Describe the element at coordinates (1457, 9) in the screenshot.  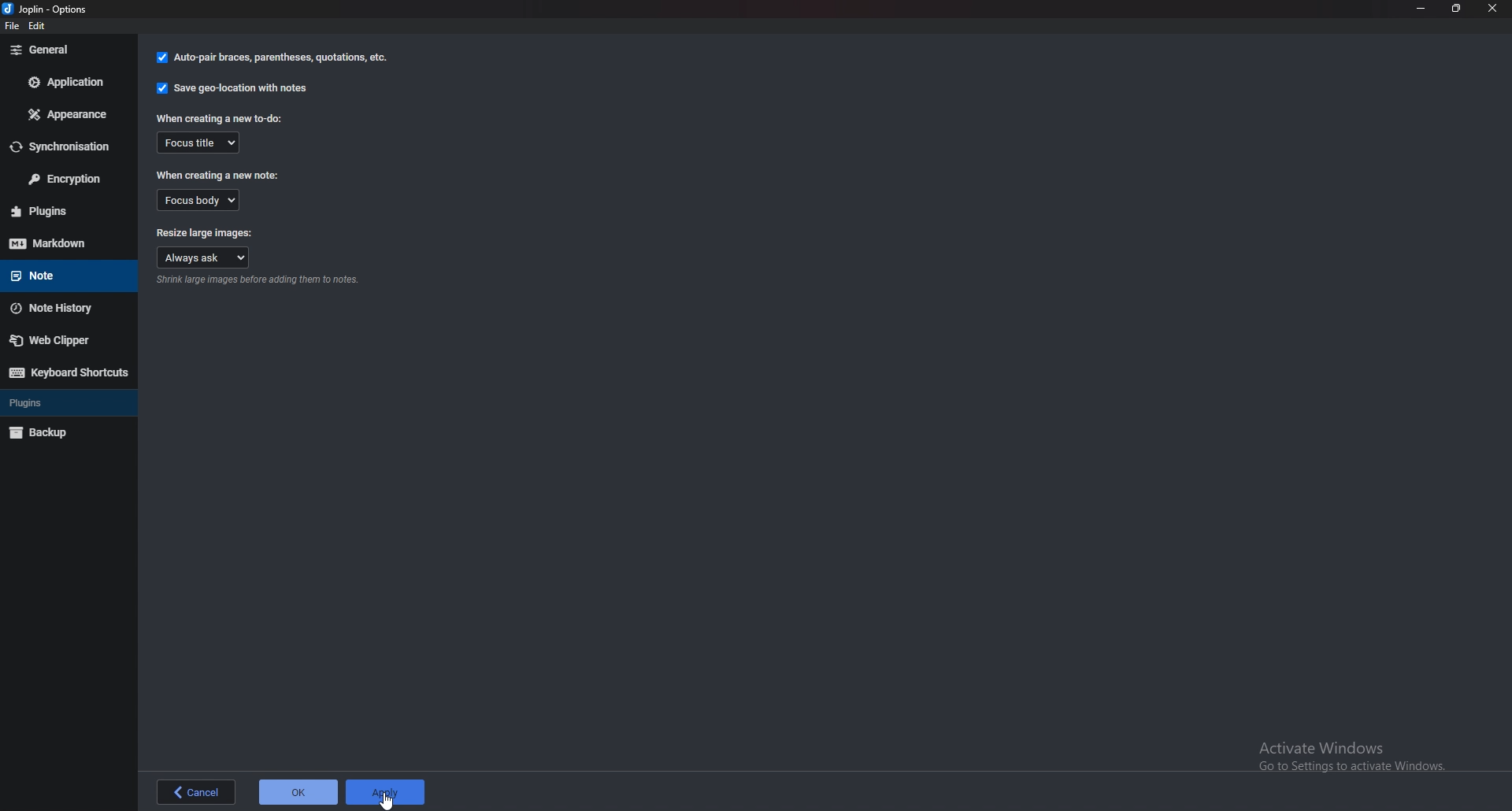
I see `Resize` at that location.